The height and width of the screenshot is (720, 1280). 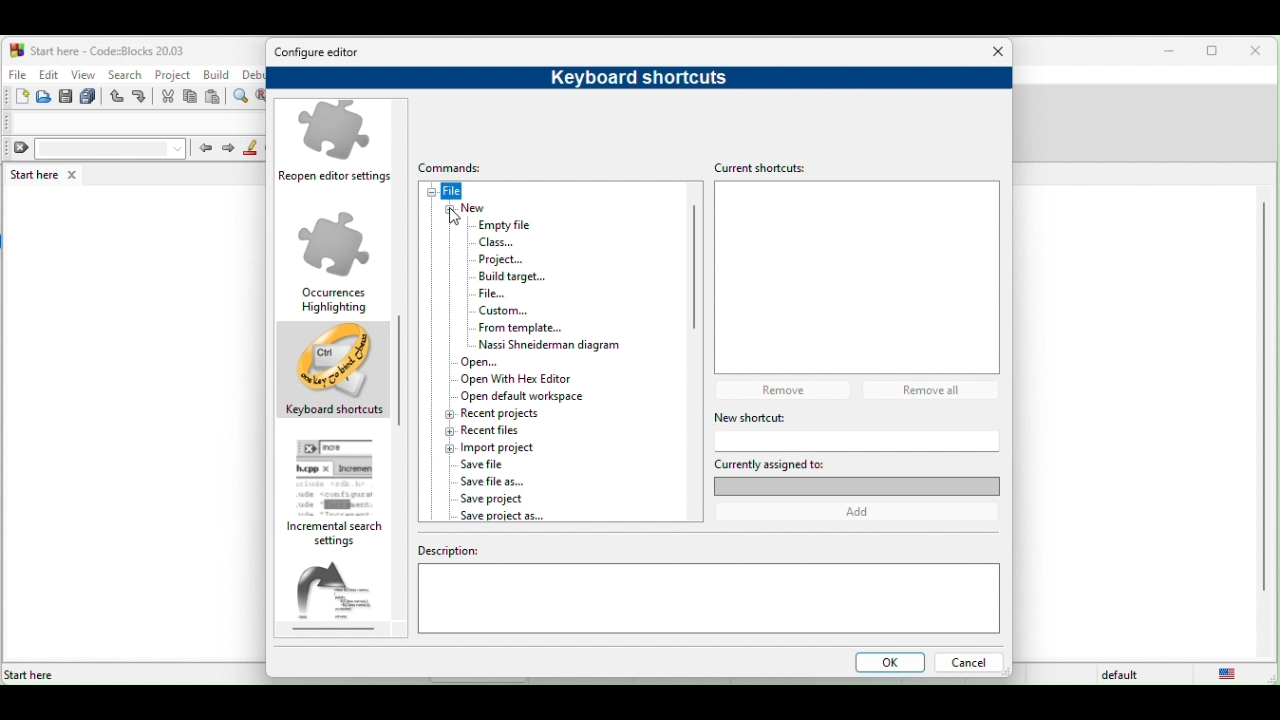 I want to click on save file as, so click(x=496, y=481).